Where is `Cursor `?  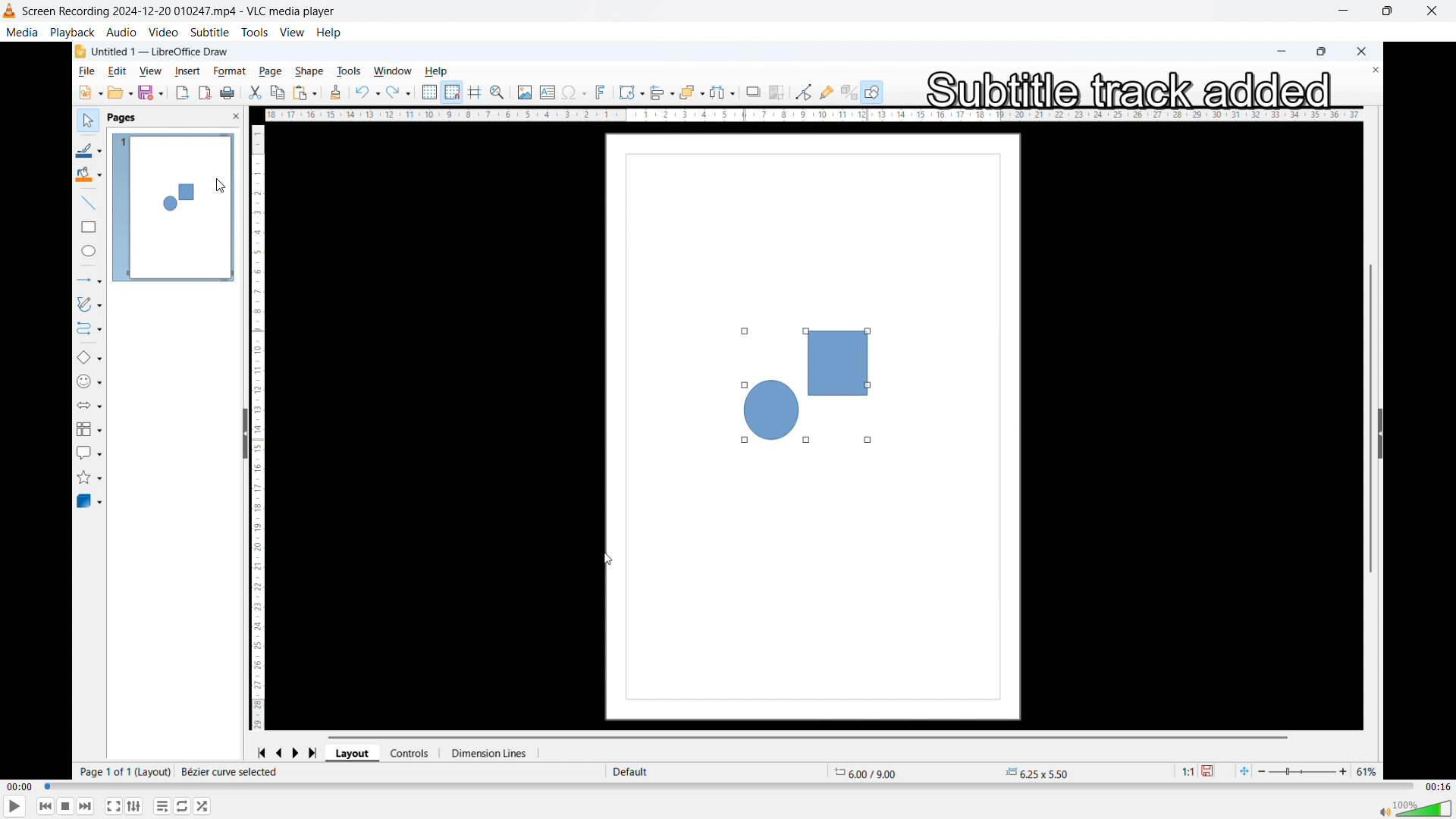 Cursor  is located at coordinates (220, 186).